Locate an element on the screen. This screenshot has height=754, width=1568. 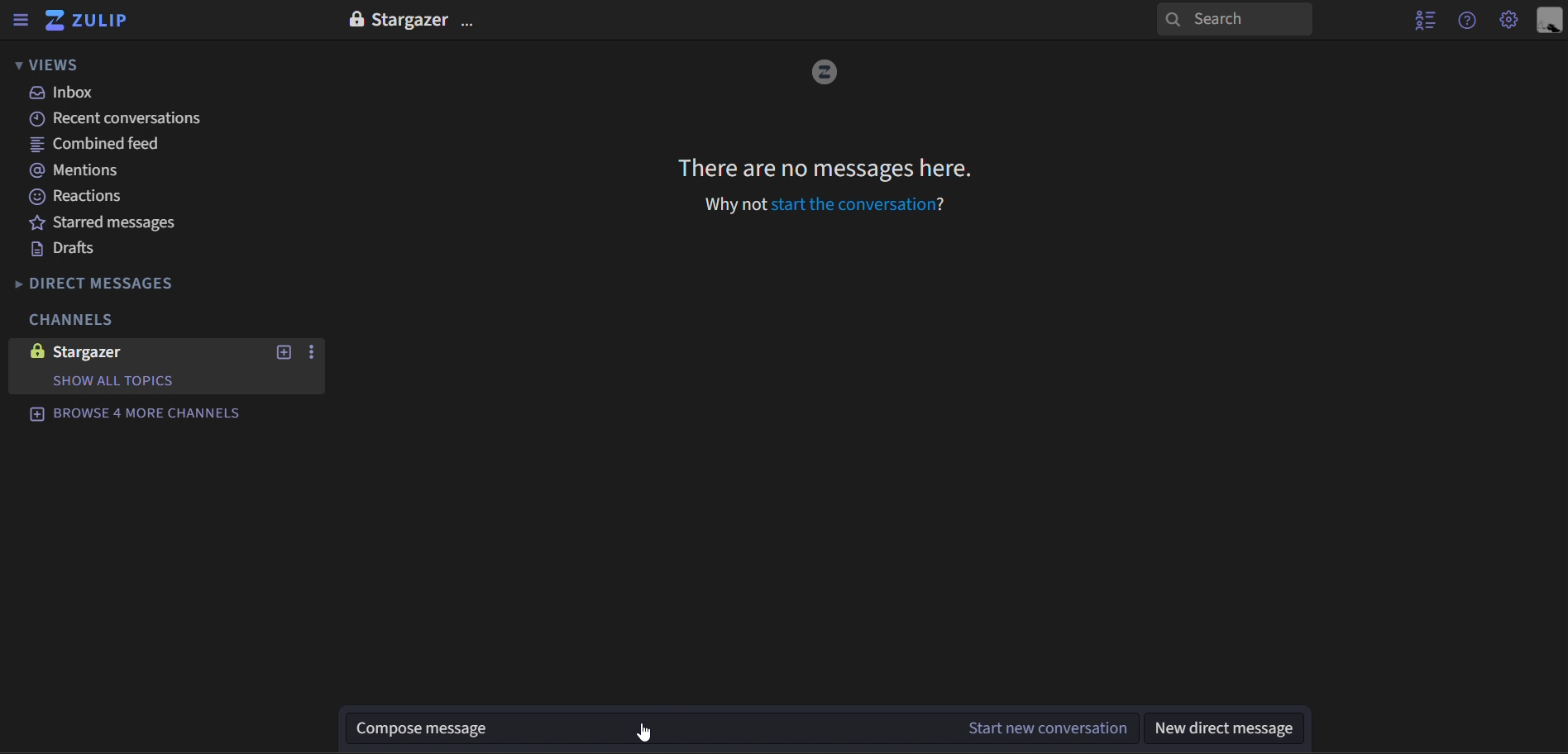
options is located at coordinates (470, 19).